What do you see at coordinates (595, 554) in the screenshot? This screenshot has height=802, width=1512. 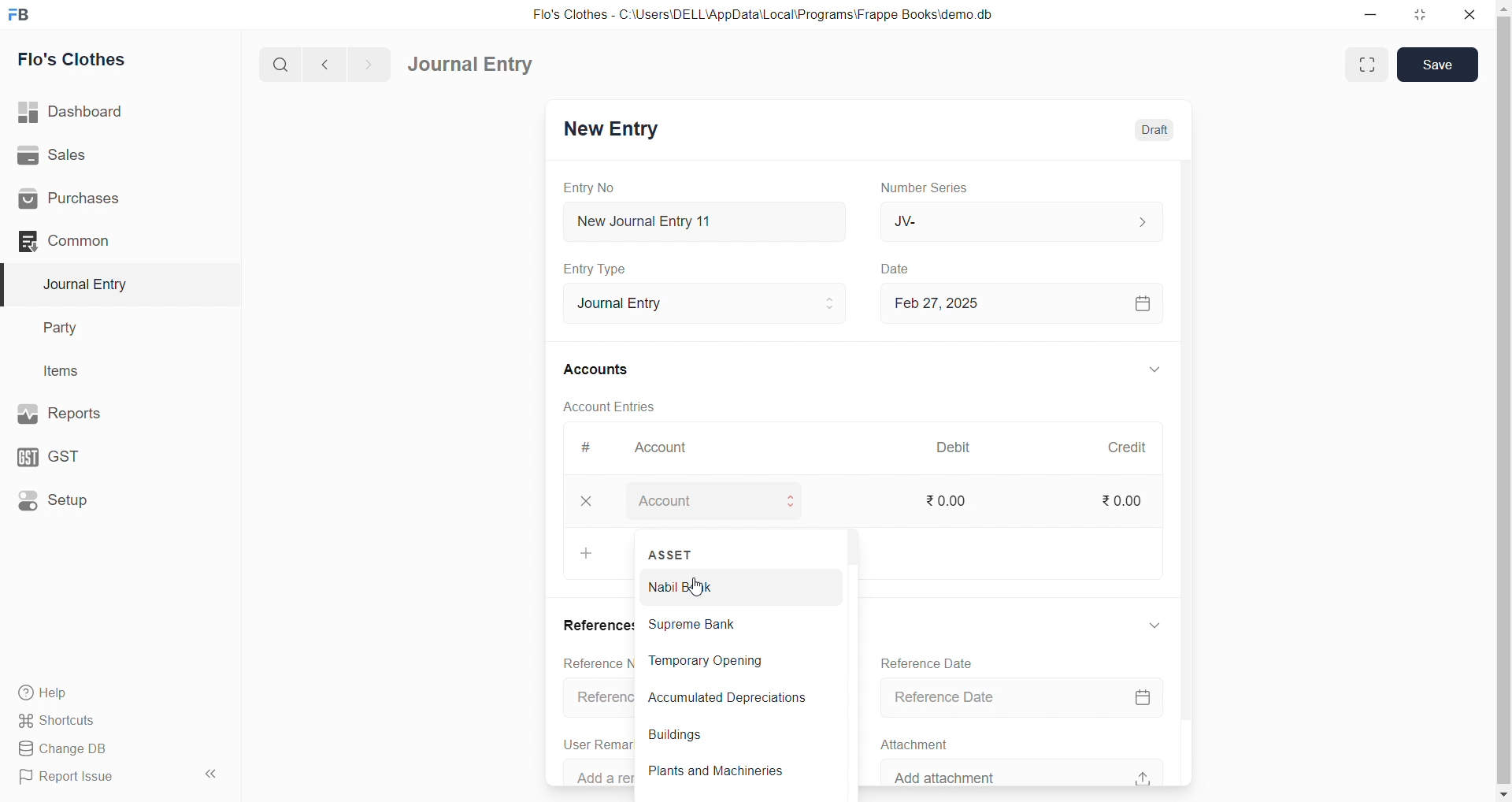 I see `+ Add Row` at bounding box center [595, 554].